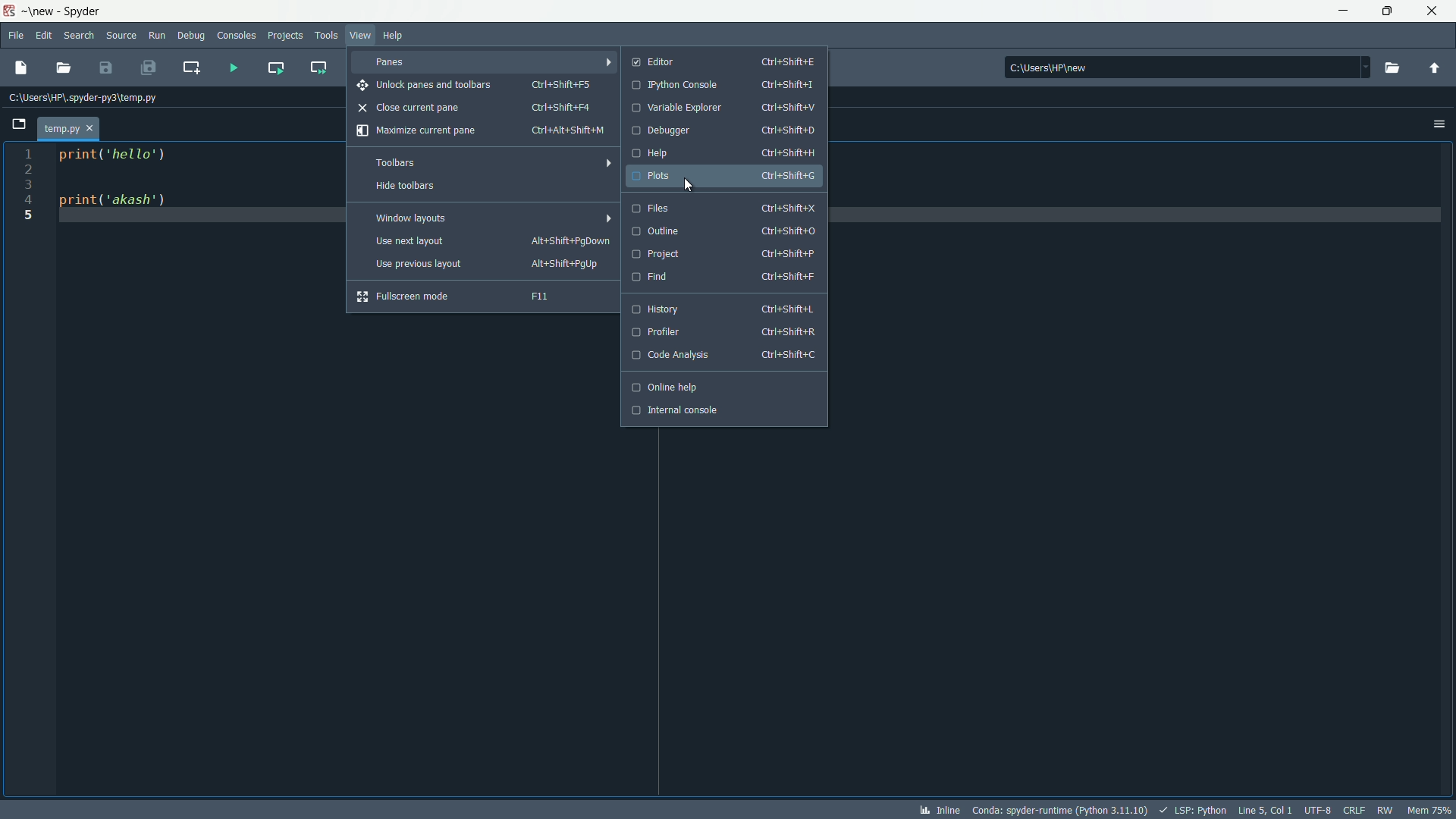  Describe the element at coordinates (89, 98) in the screenshot. I see `Current path` at that location.